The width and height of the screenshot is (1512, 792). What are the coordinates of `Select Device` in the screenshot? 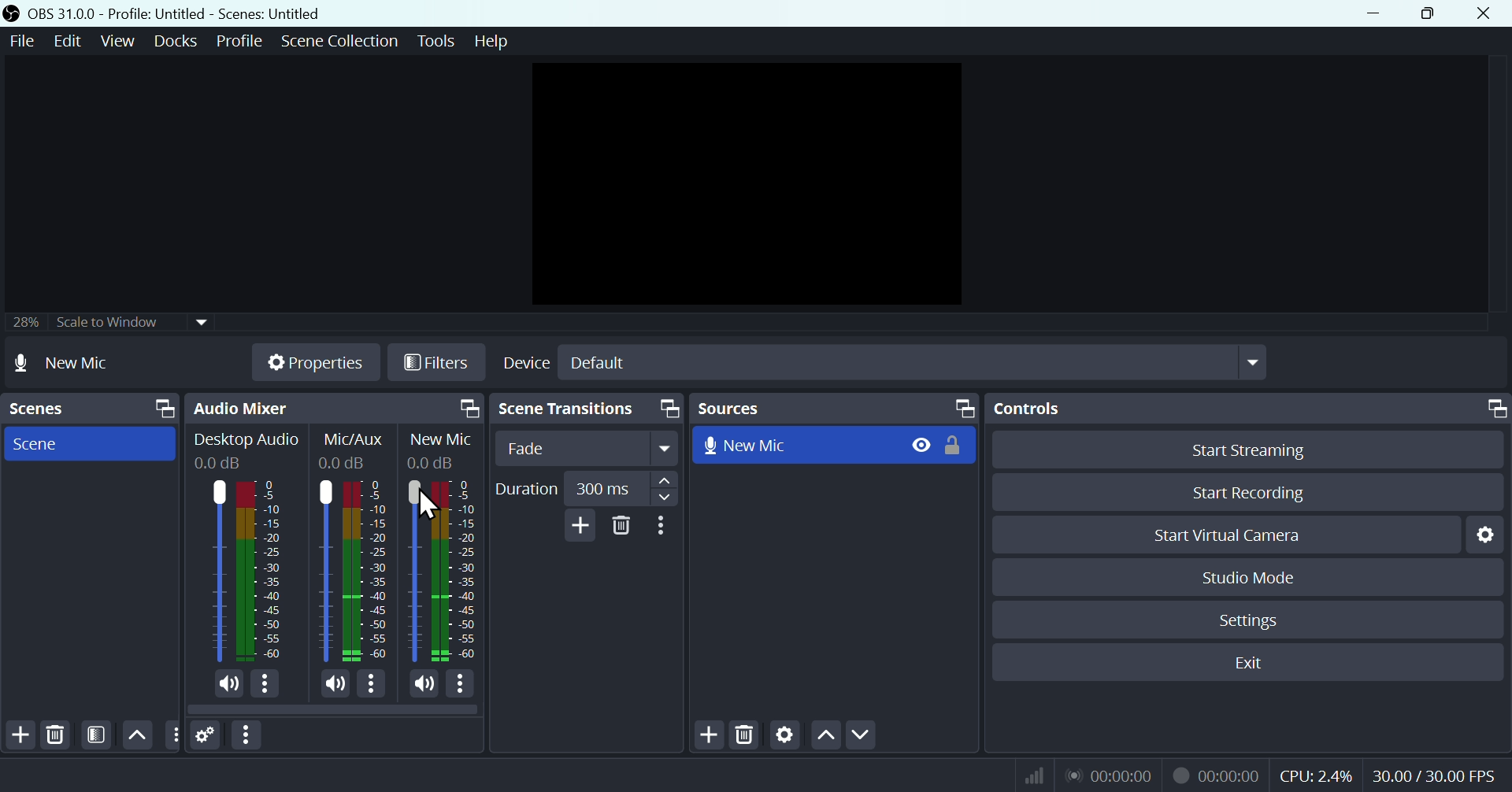 It's located at (882, 362).